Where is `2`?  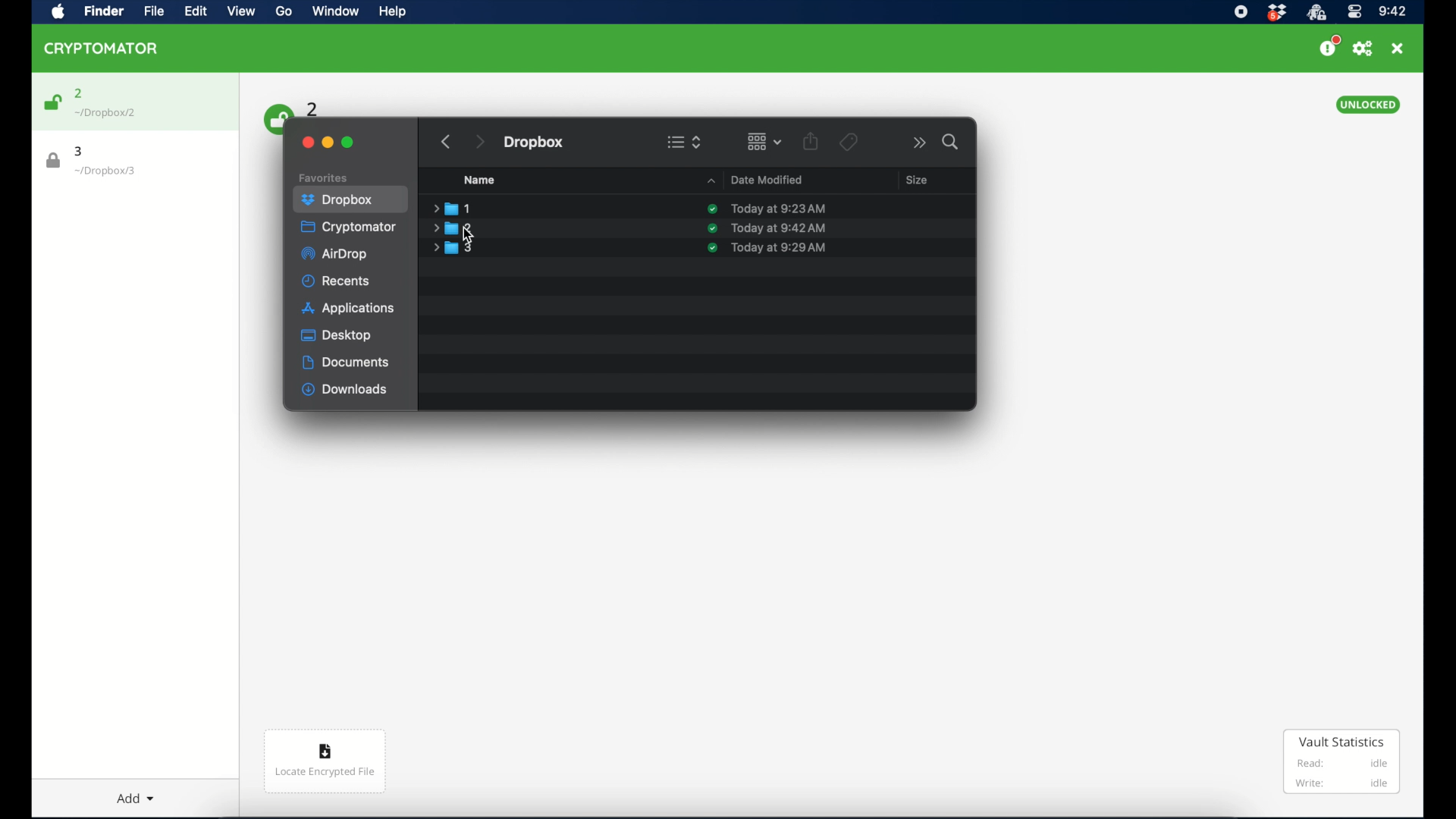 2 is located at coordinates (79, 93).